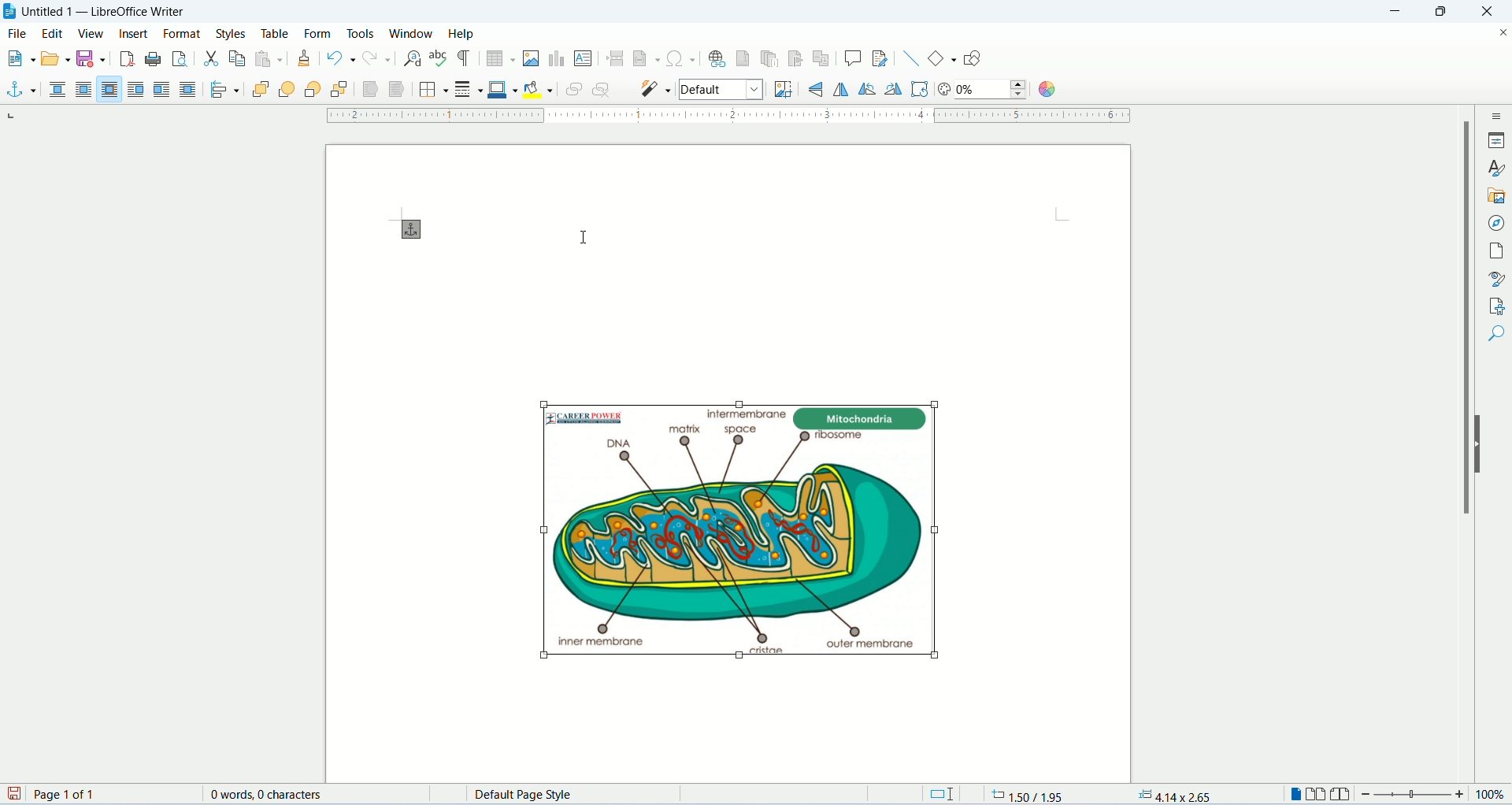  What do you see at coordinates (1496, 140) in the screenshot?
I see `properties` at bounding box center [1496, 140].